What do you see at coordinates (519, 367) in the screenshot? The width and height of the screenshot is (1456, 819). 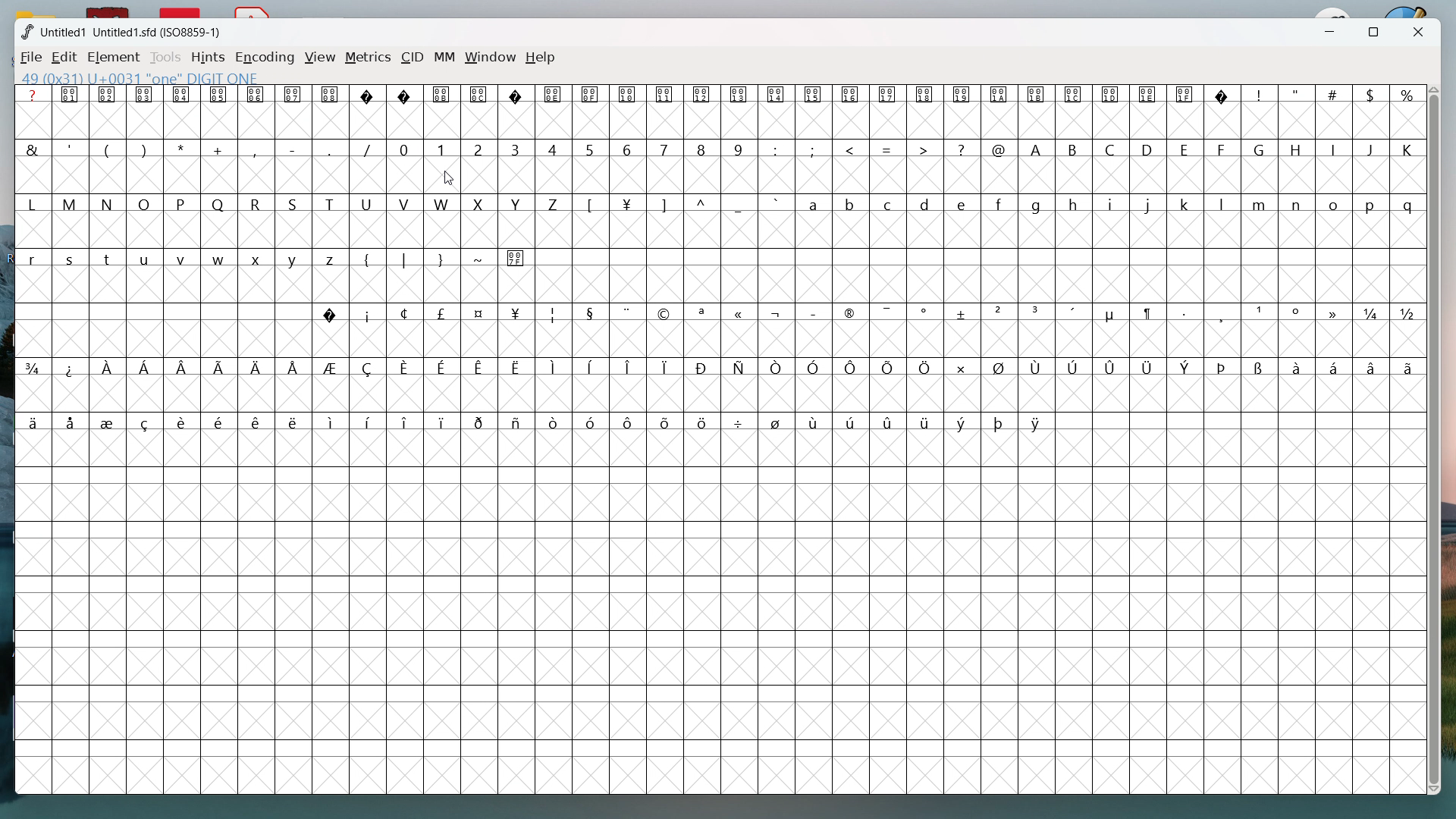 I see `symbol` at bounding box center [519, 367].